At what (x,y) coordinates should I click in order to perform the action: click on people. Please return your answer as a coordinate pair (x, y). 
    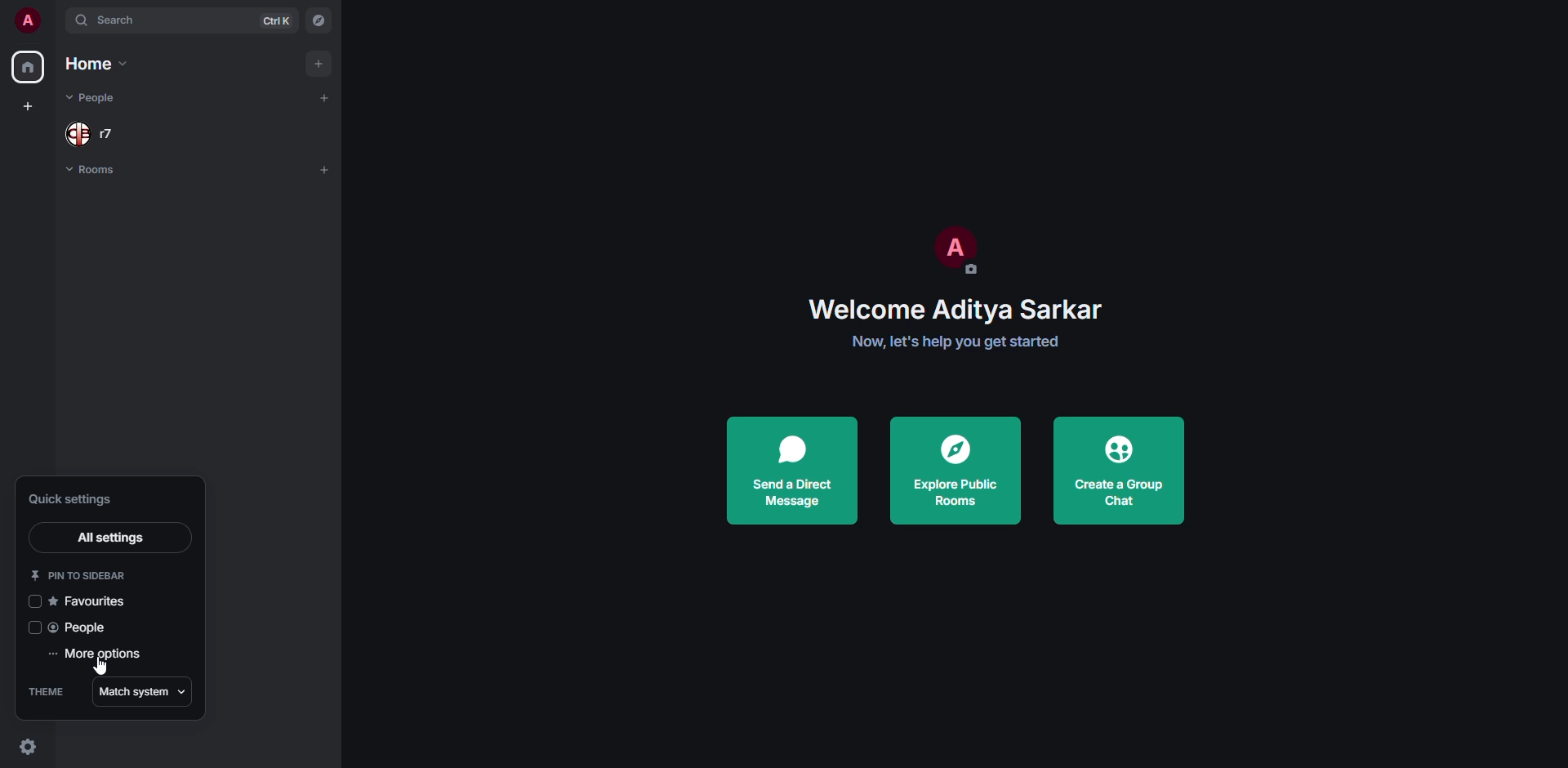
    Looking at the image, I should click on (99, 97).